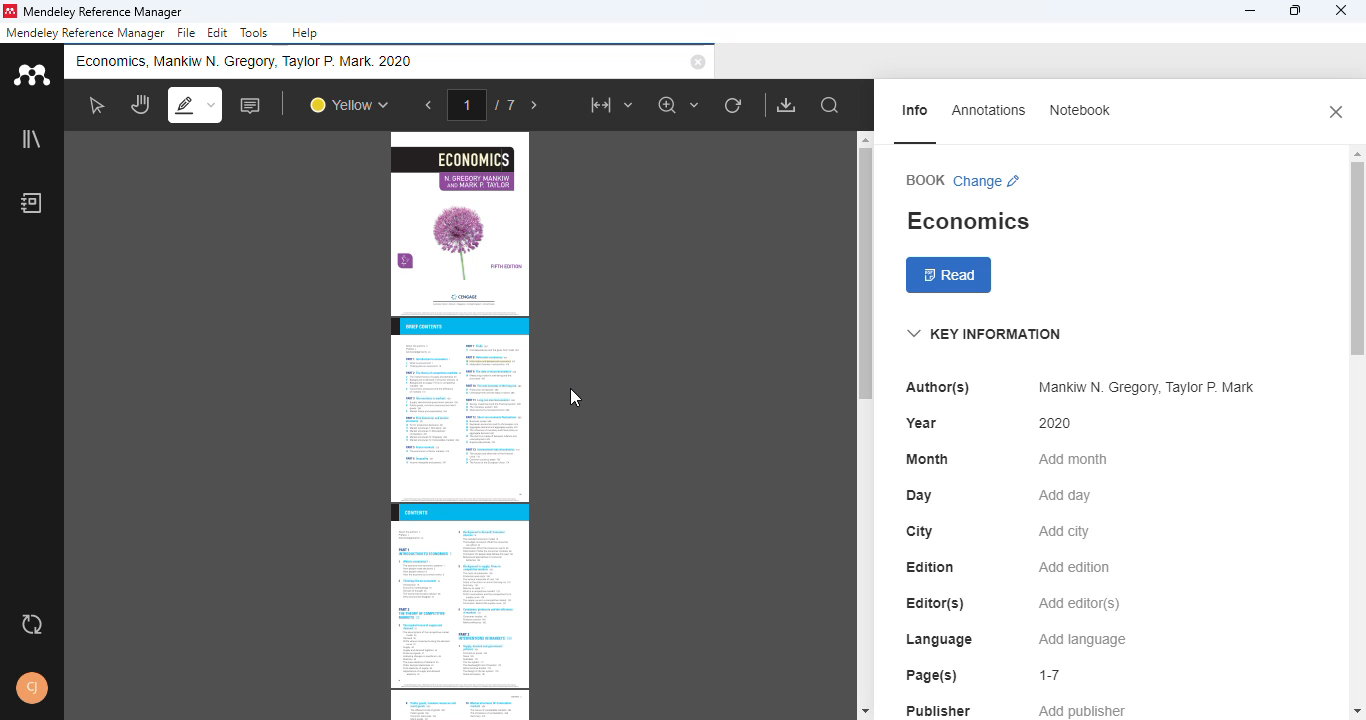 This screenshot has height=720, width=1366. What do you see at coordinates (733, 105) in the screenshot?
I see `rotate` at bounding box center [733, 105].